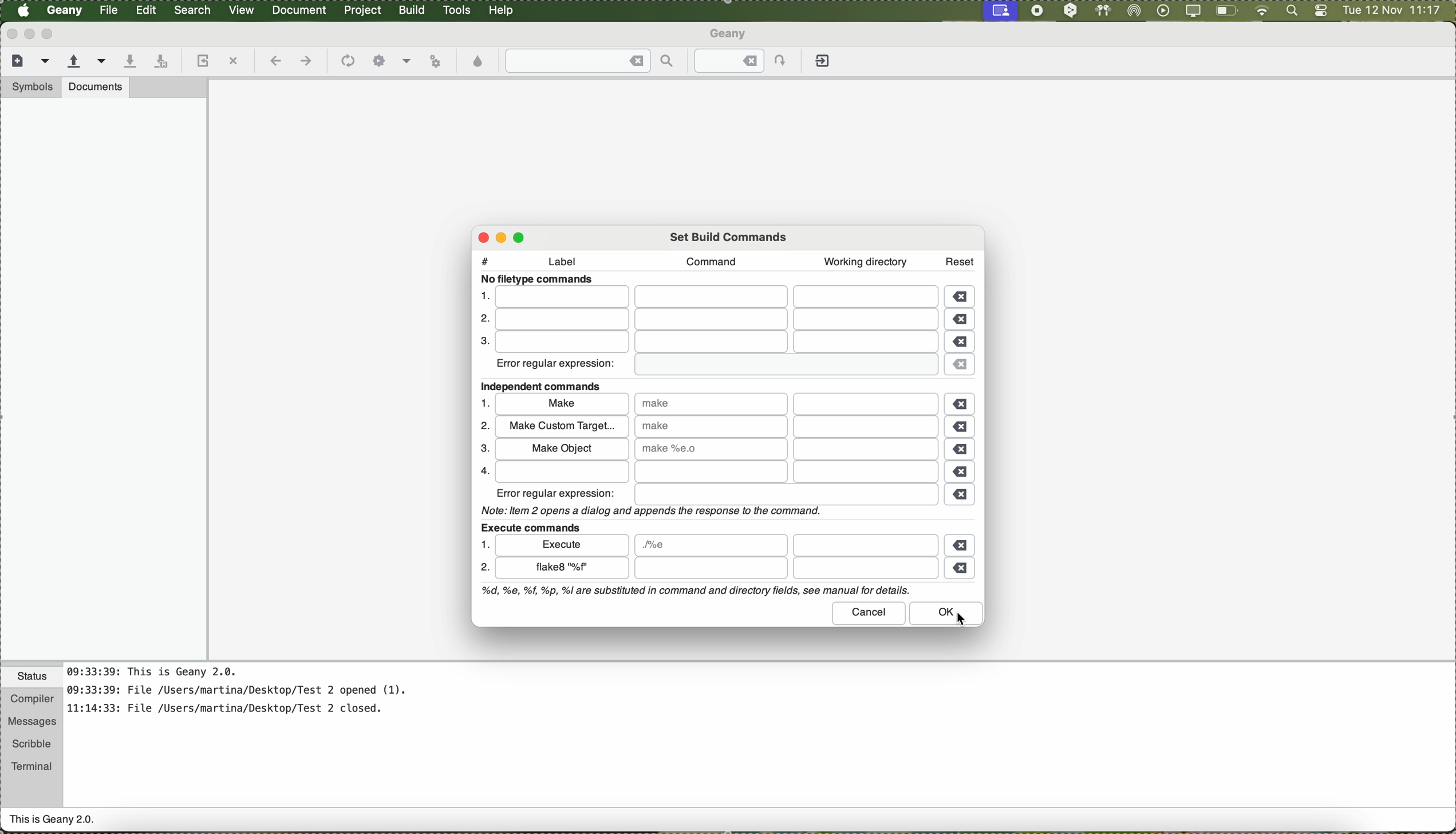 This screenshot has height=834, width=1456. What do you see at coordinates (483, 295) in the screenshot?
I see `1` at bounding box center [483, 295].